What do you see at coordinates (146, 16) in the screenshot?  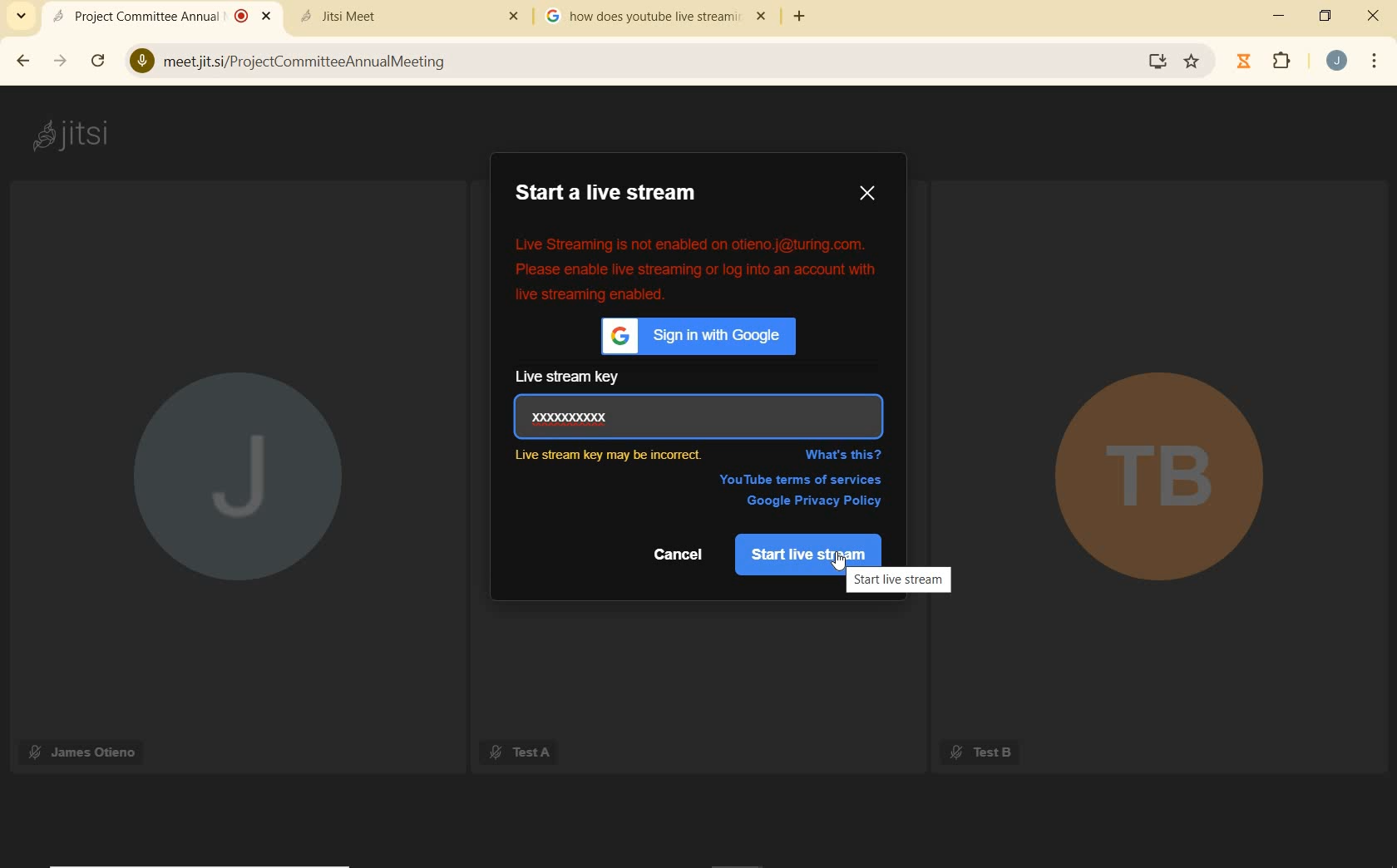 I see `current open tab` at bounding box center [146, 16].